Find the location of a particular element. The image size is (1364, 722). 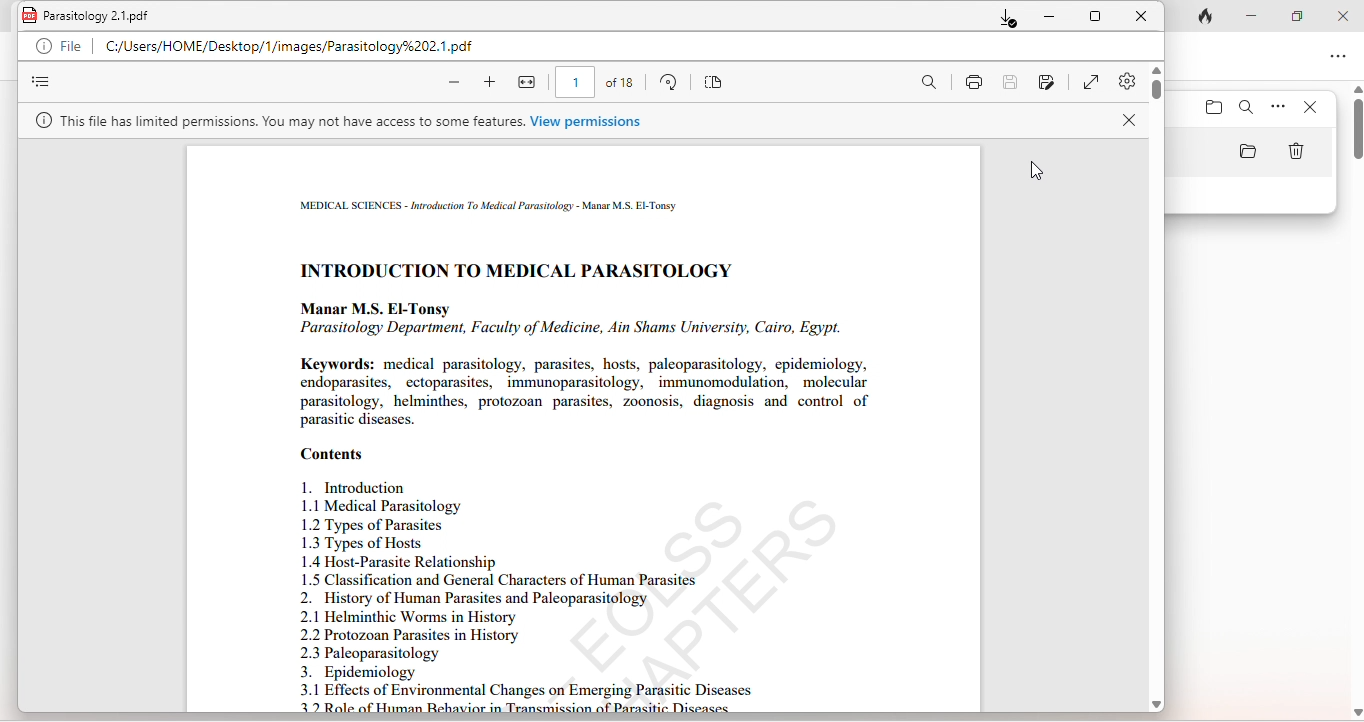

minimize is located at coordinates (1046, 17).